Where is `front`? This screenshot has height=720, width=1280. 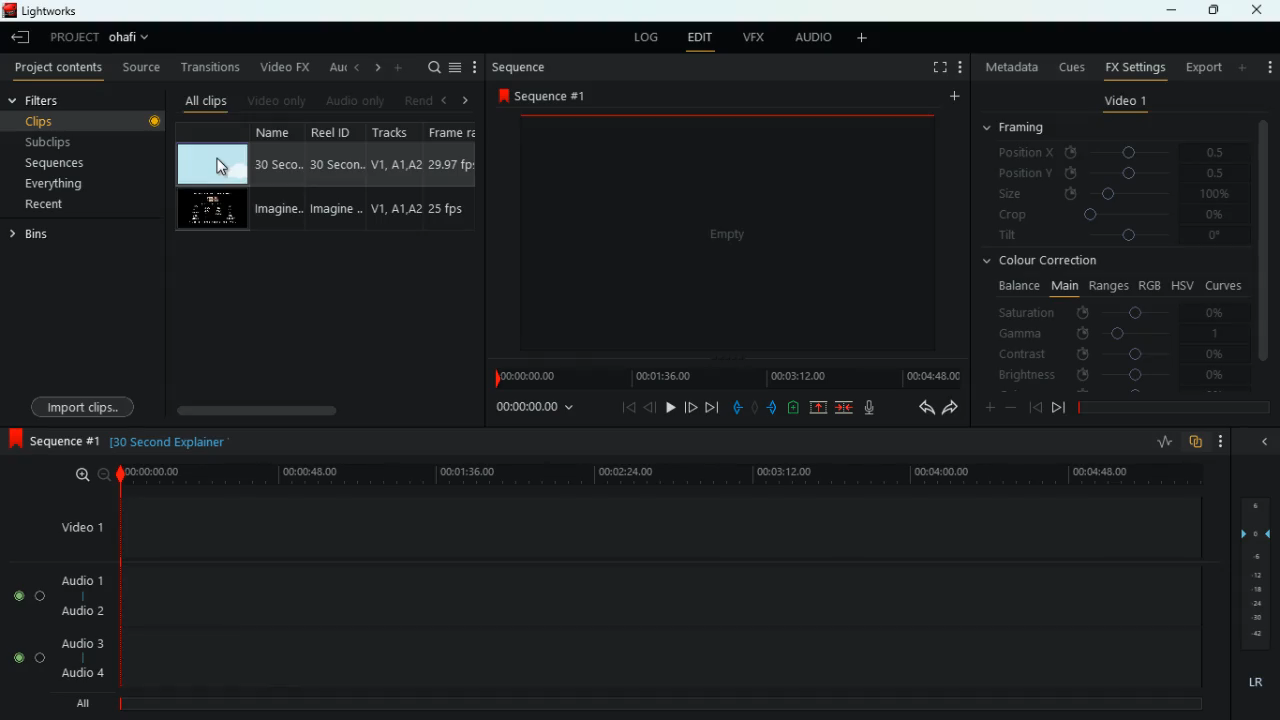
front is located at coordinates (1058, 409).